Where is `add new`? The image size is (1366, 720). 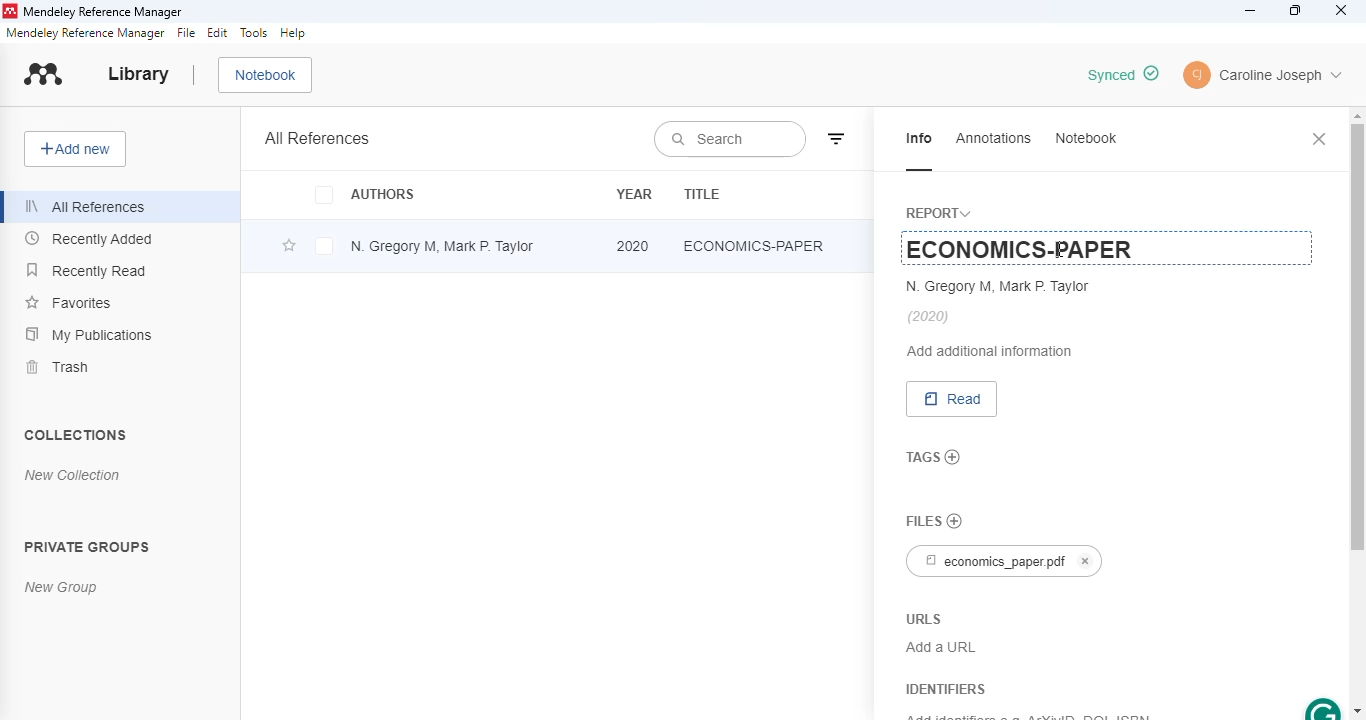
add new is located at coordinates (74, 148).